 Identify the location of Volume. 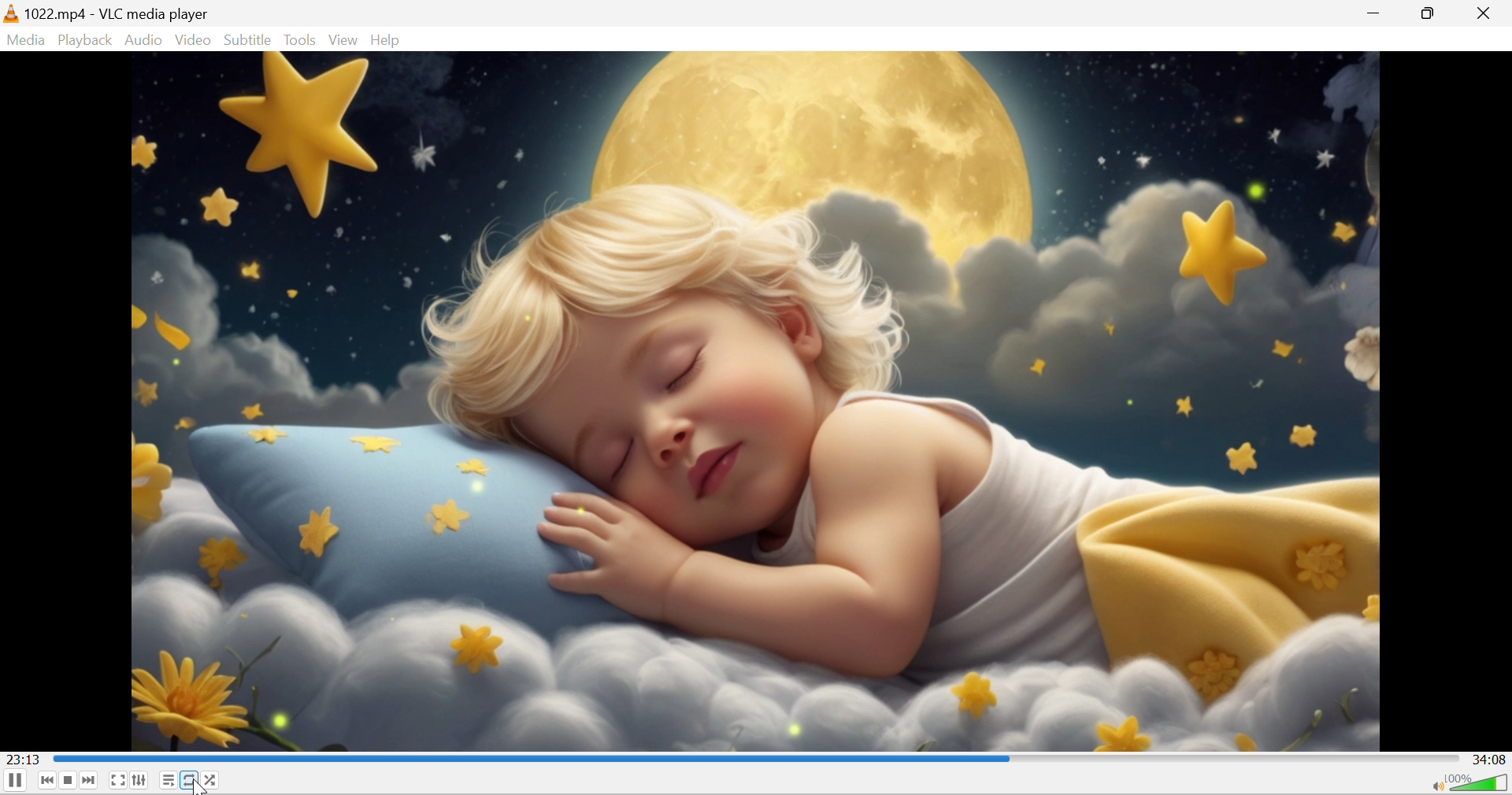
(1482, 783).